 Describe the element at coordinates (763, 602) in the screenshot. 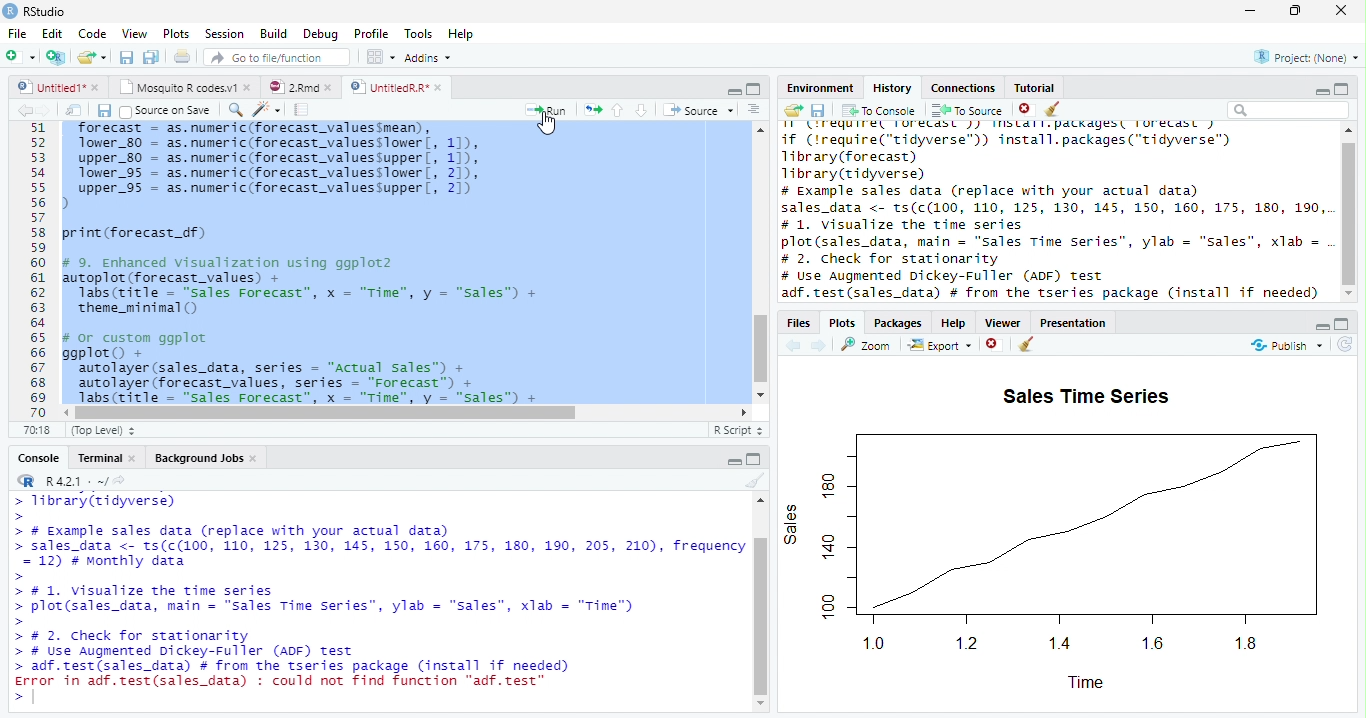

I see `Scroll` at that location.